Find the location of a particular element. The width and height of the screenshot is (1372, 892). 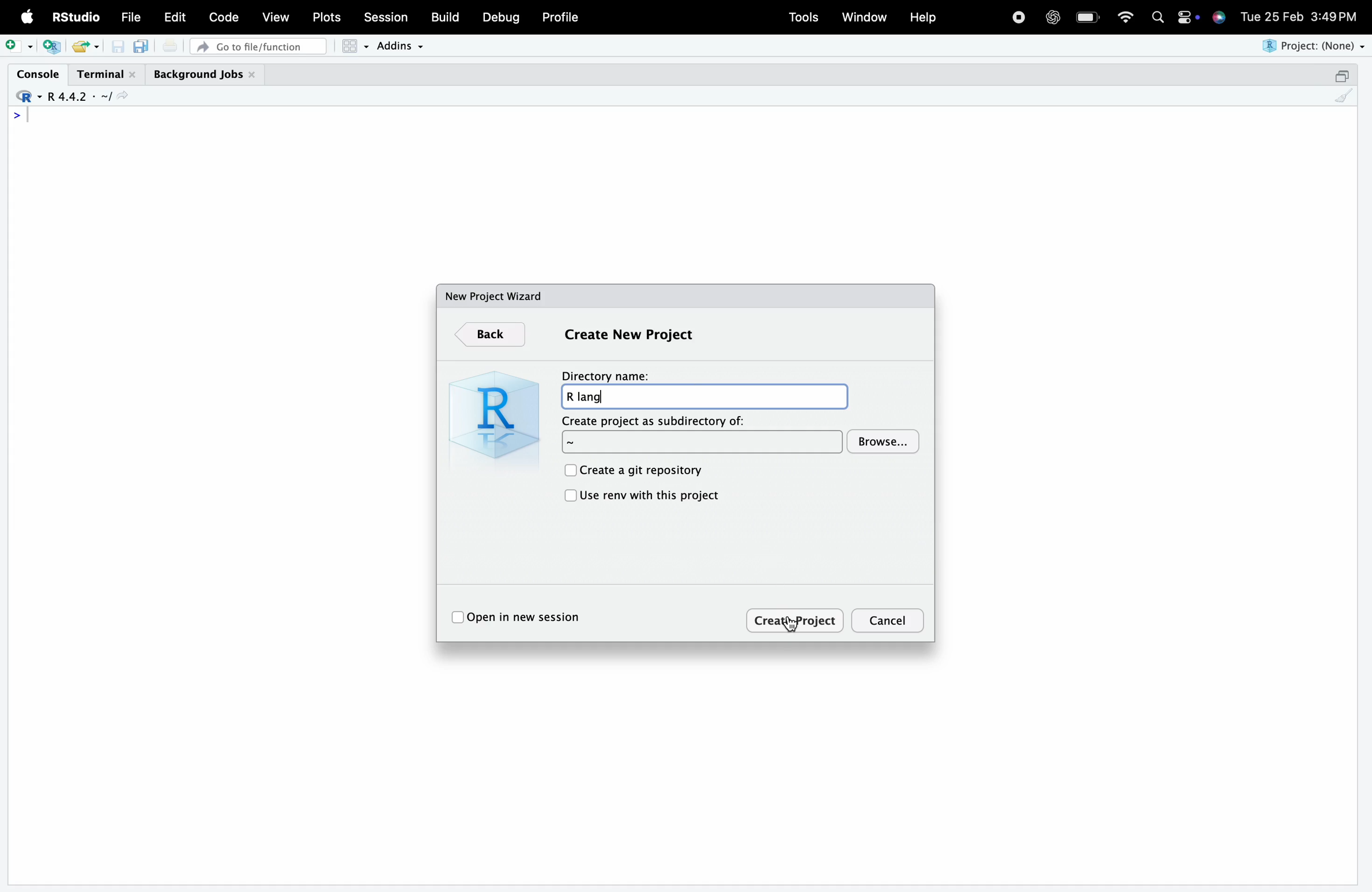

R is located at coordinates (491, 414).